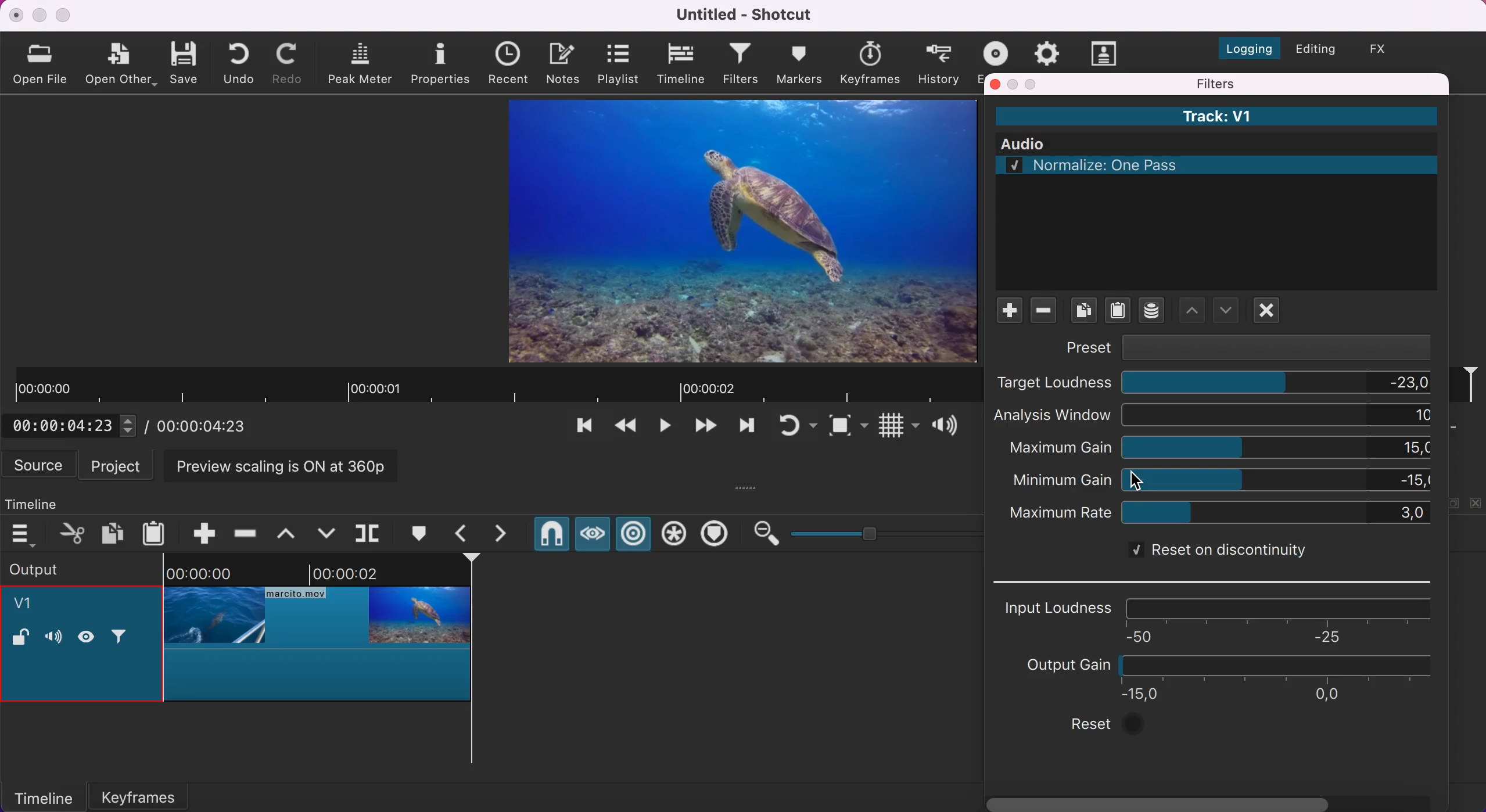  I want to click on lift, so click(291, 533).